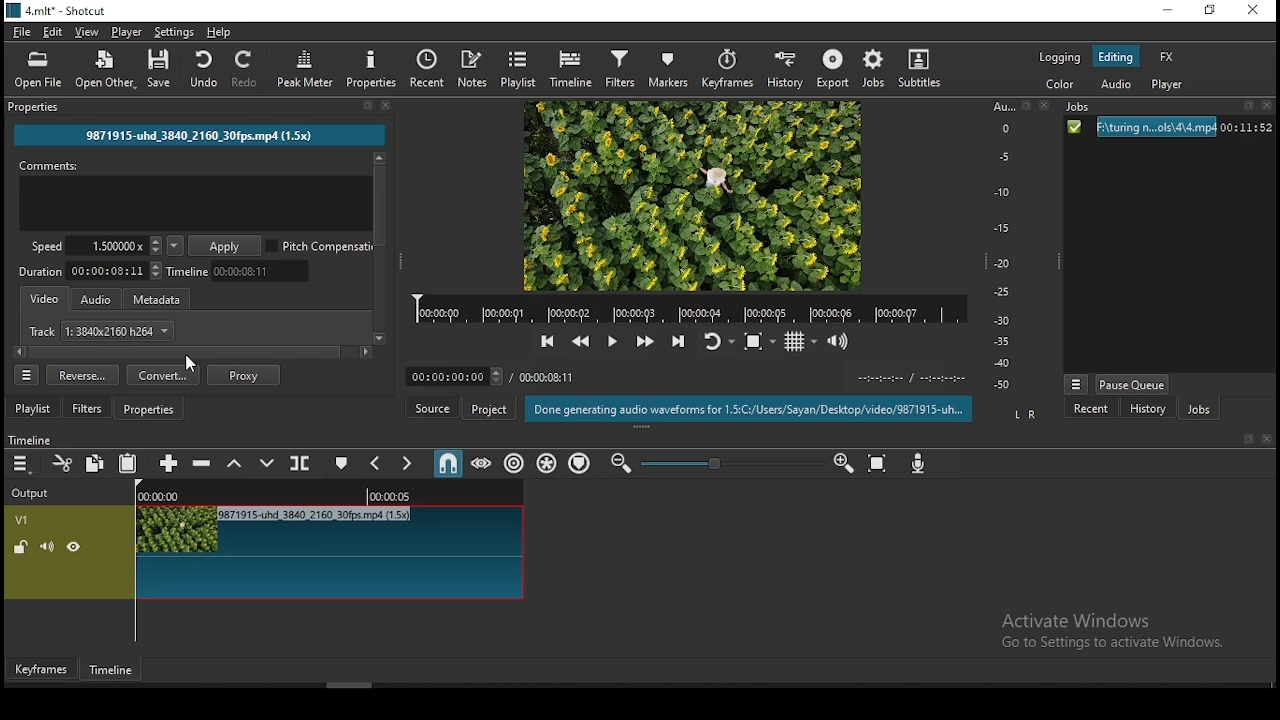 This screenshot has height=720, width=1280. Describe the element at coordinates (872, 68) in the screenshot. I see `jobs` at that location.